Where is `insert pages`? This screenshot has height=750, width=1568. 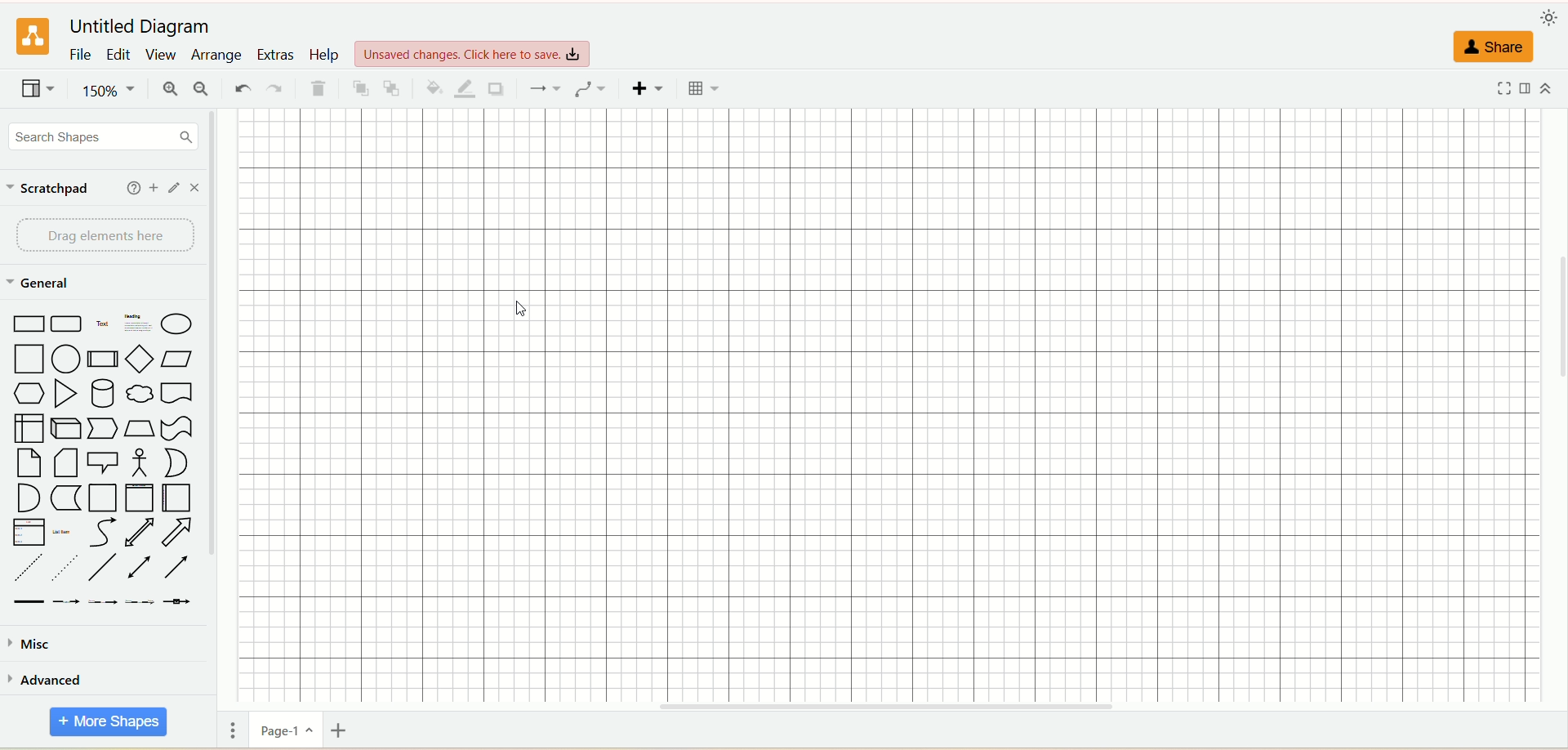 insert pages is located at coordinates (341, 730).